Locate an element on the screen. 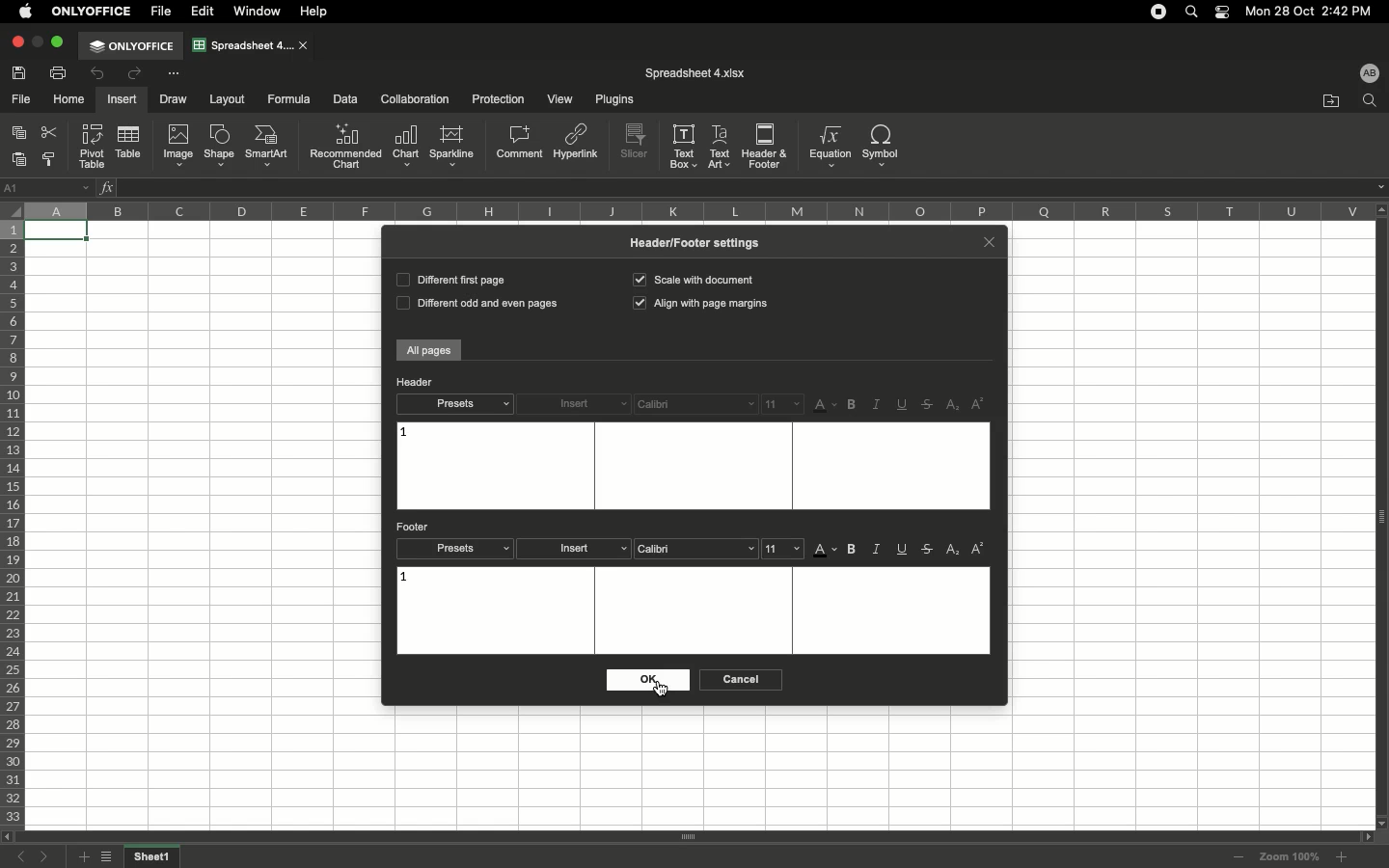  Zoom is located at coordinates (1290, 856).